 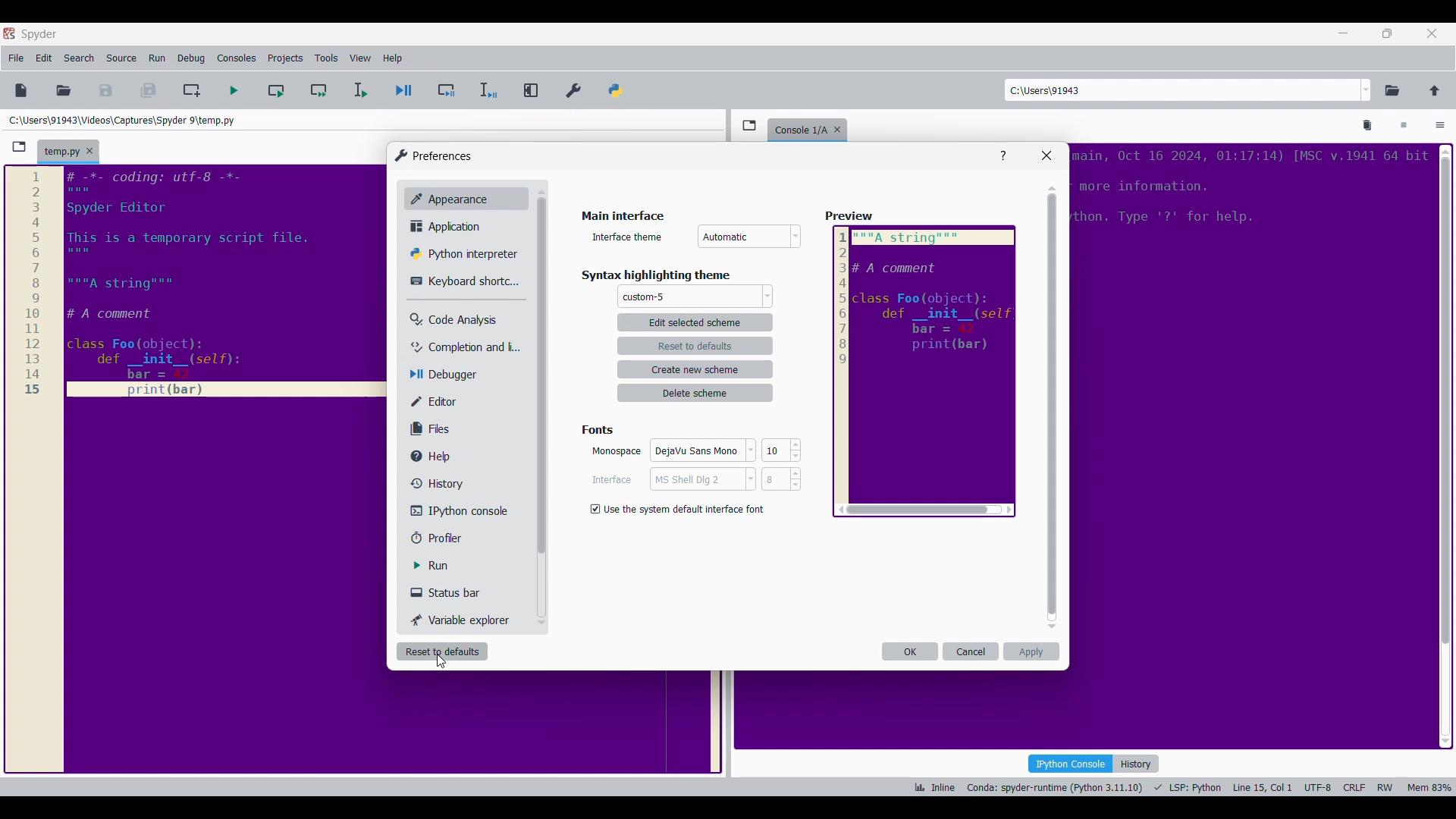 I want to click on Indicates interface theme options, so click(x=626, y=237).